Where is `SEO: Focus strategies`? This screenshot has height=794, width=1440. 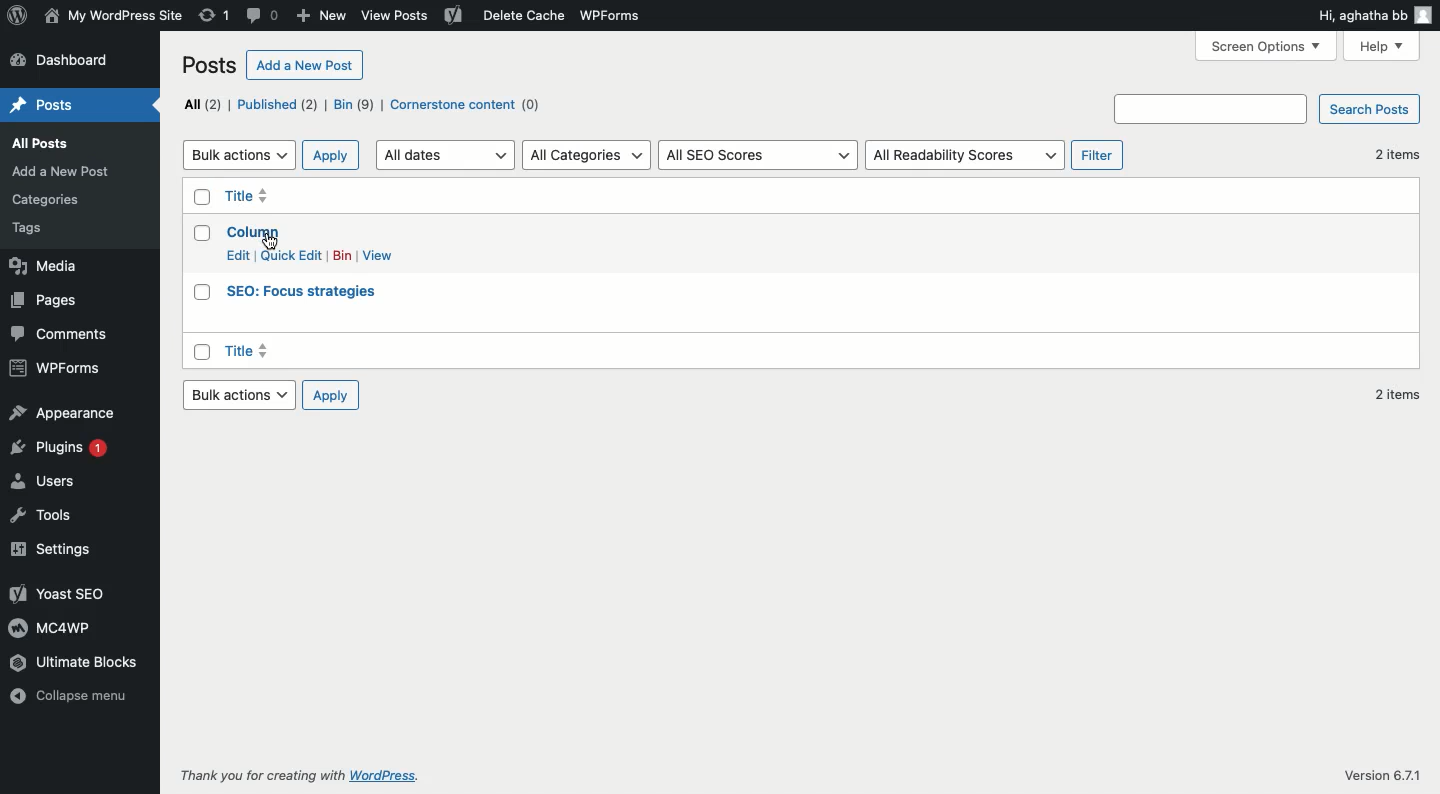 SEO: Focus strategies is located at coordinates (309, 293).